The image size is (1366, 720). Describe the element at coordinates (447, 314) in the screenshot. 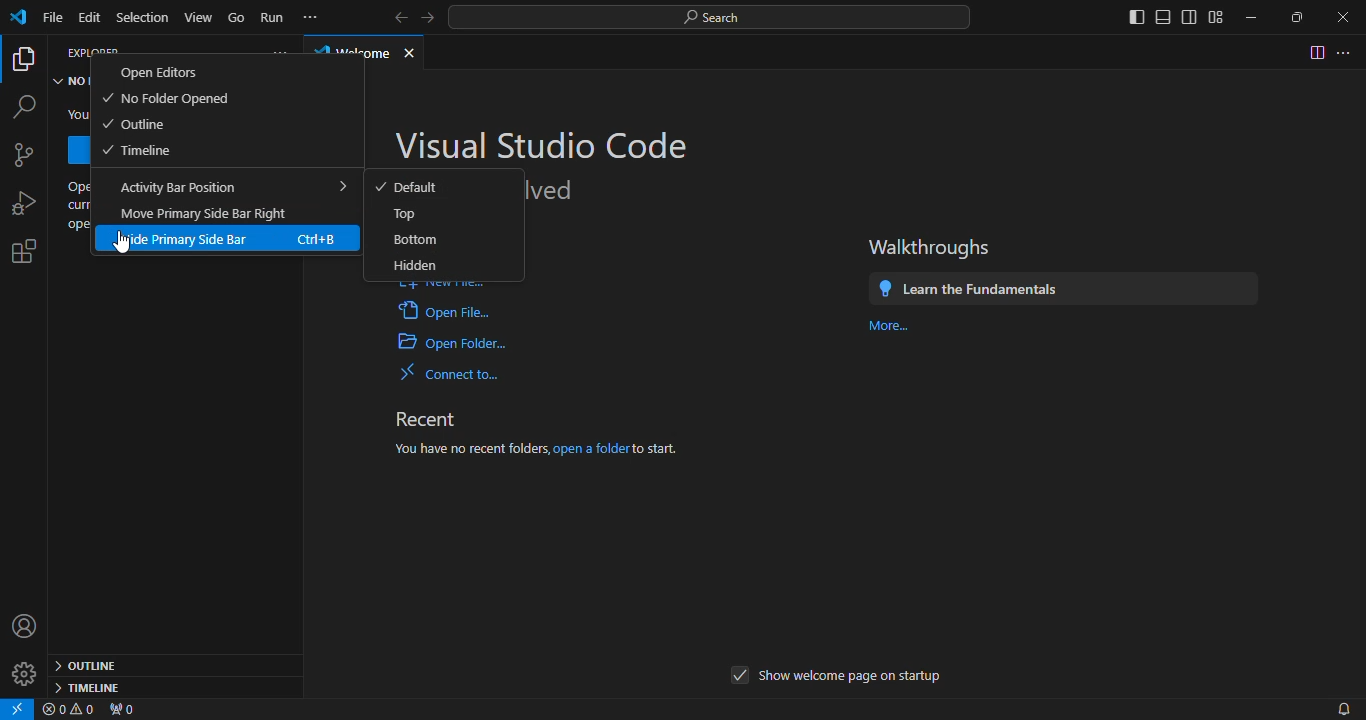

I see `Open File` at that location.